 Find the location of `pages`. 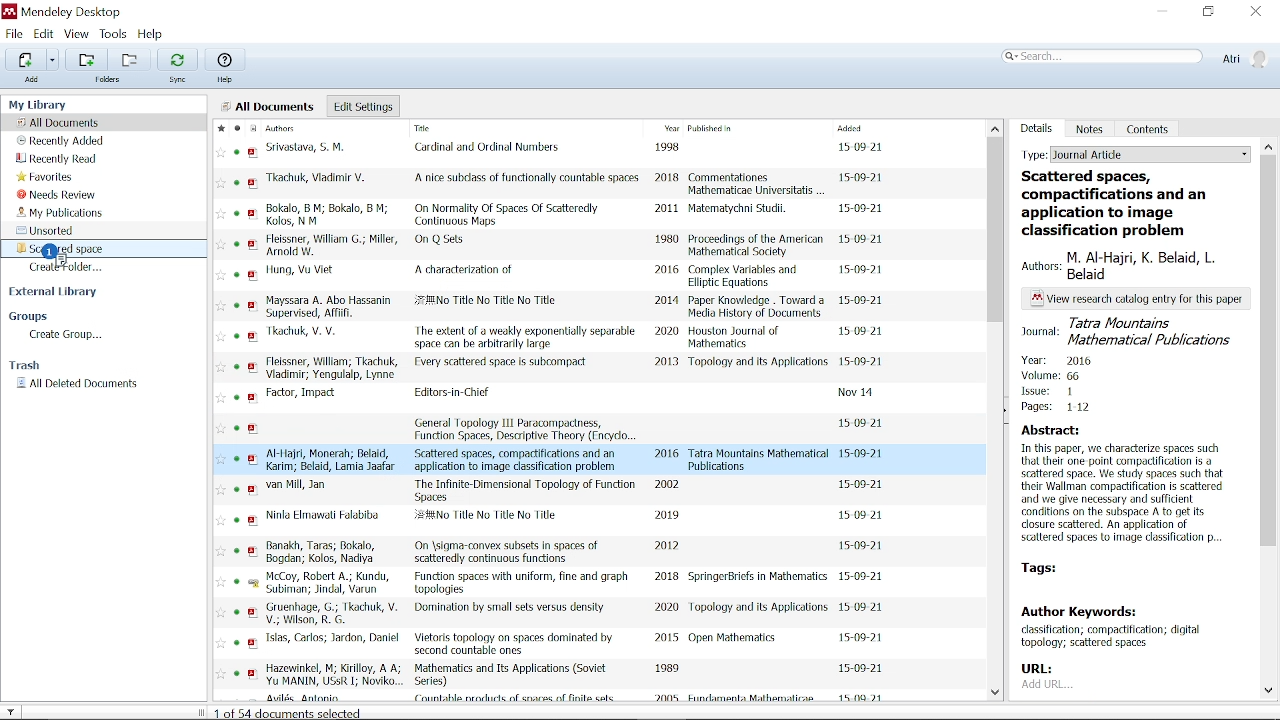

pages is located at coordinates (1060, 411).